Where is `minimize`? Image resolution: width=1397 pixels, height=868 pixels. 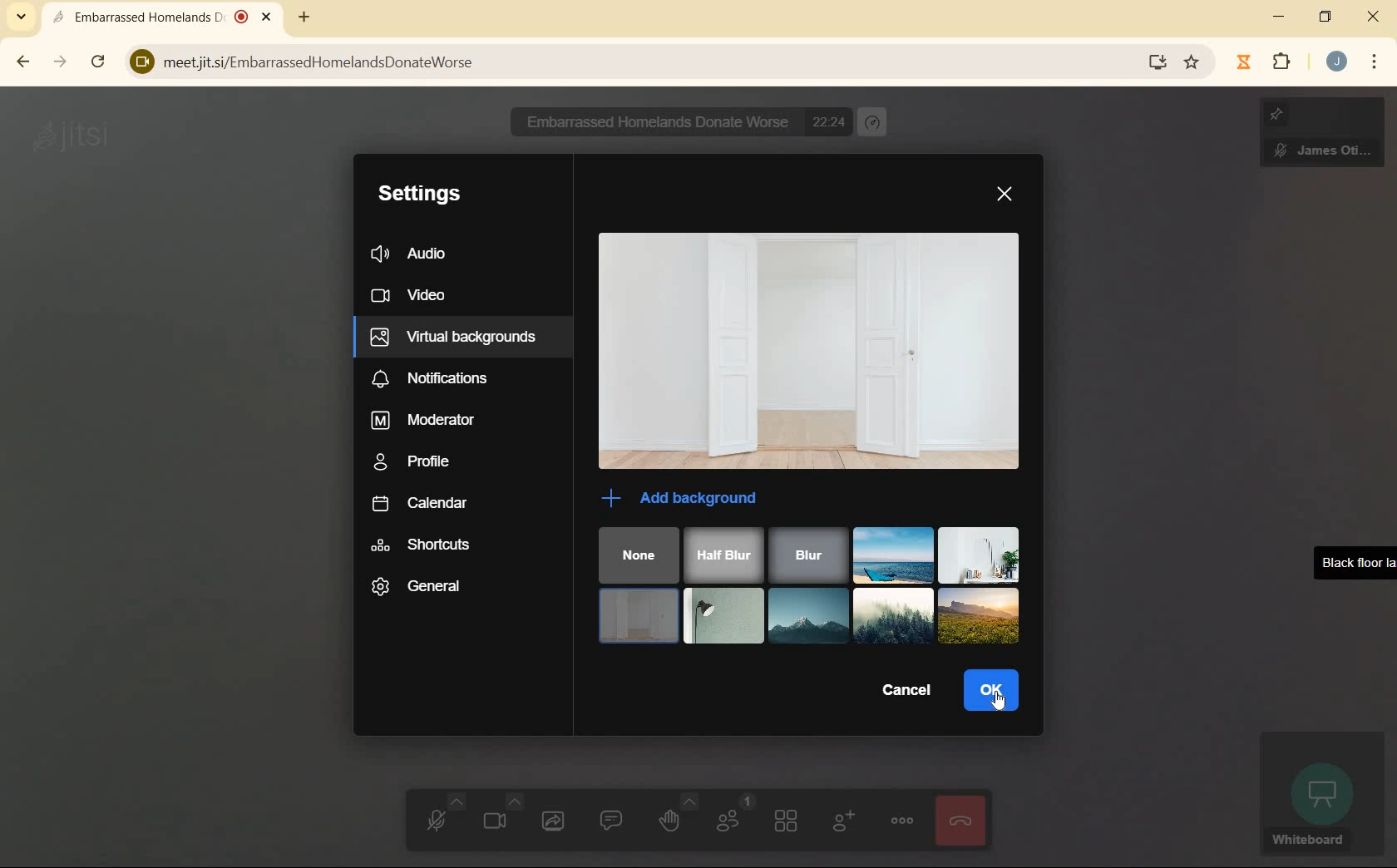 minimize is located at coordinates (1281, 16).